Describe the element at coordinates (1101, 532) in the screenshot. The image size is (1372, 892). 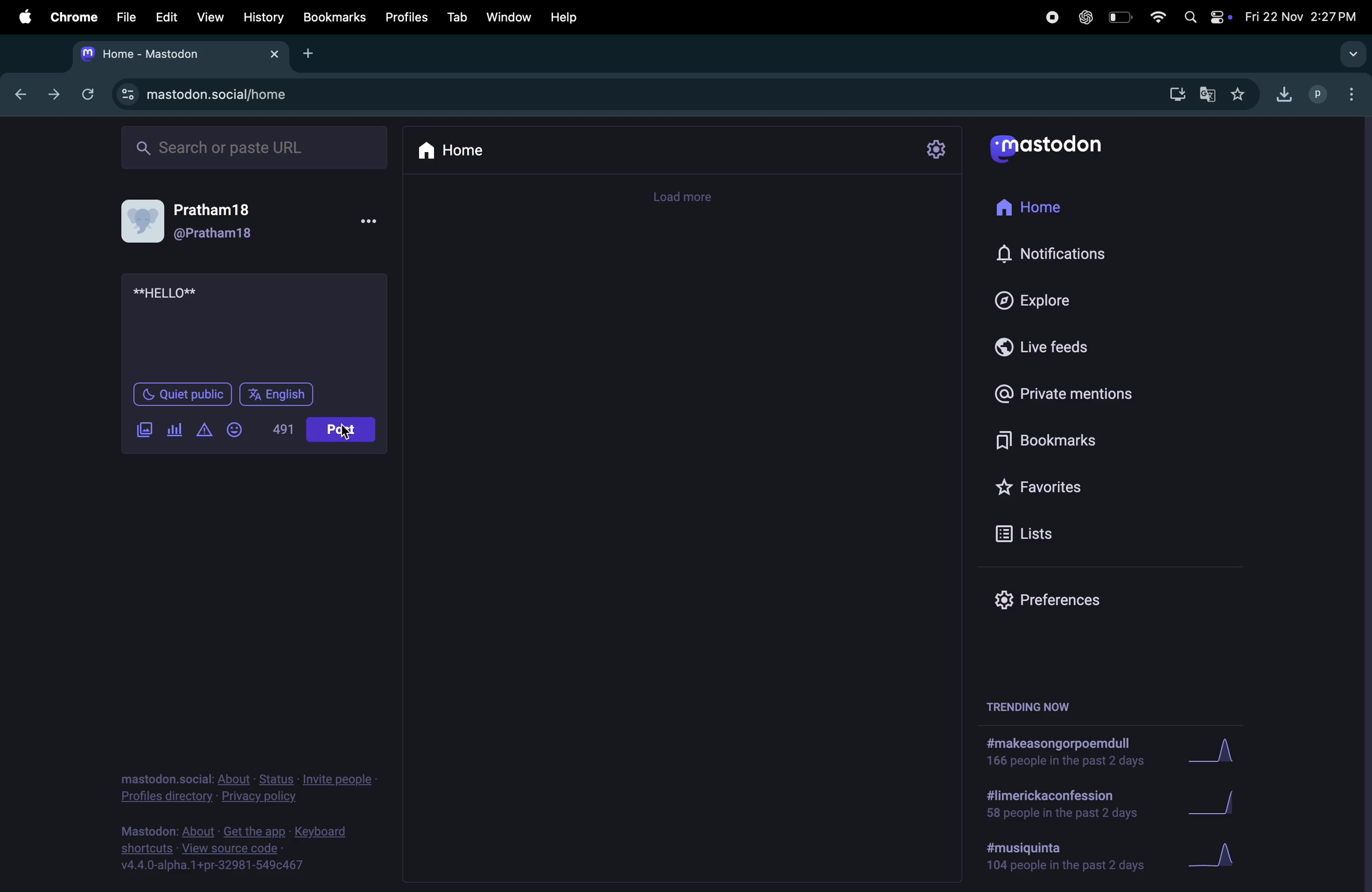
I see `lists` at that location.